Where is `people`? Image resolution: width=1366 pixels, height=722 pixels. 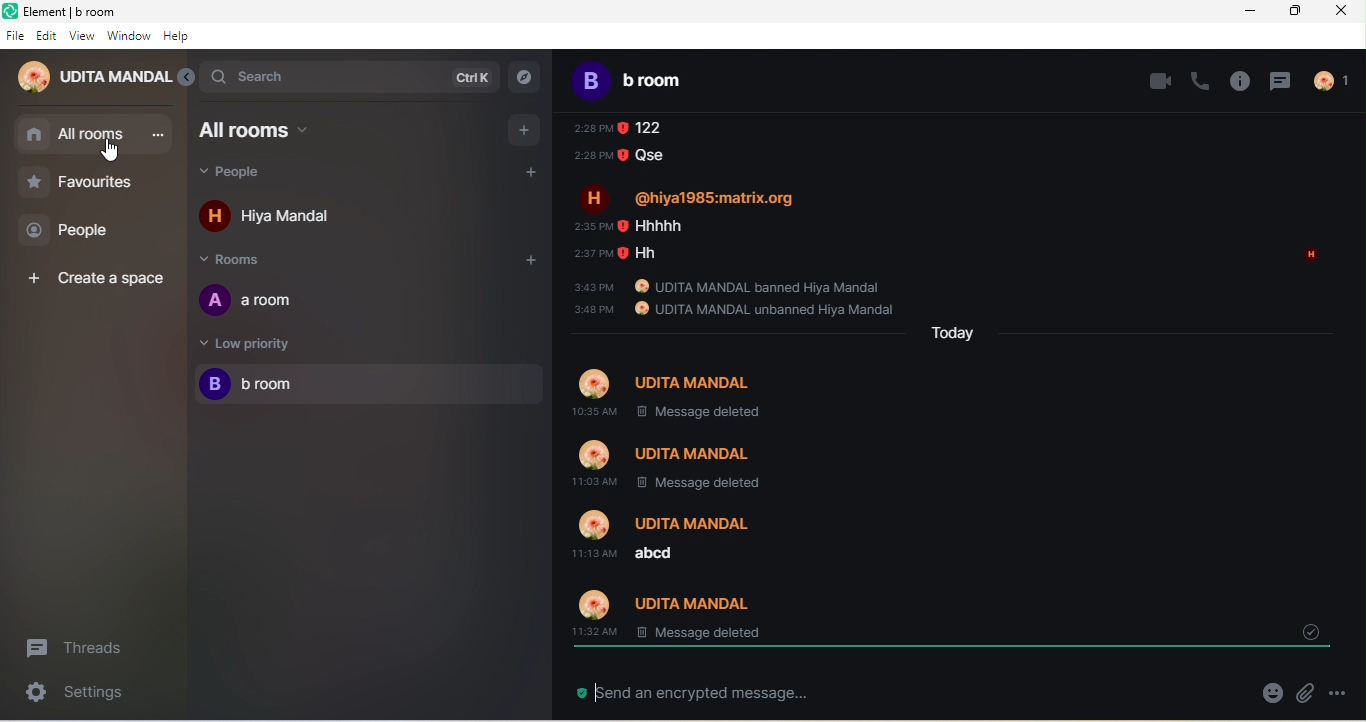
people is located at coordinates (254, 173).